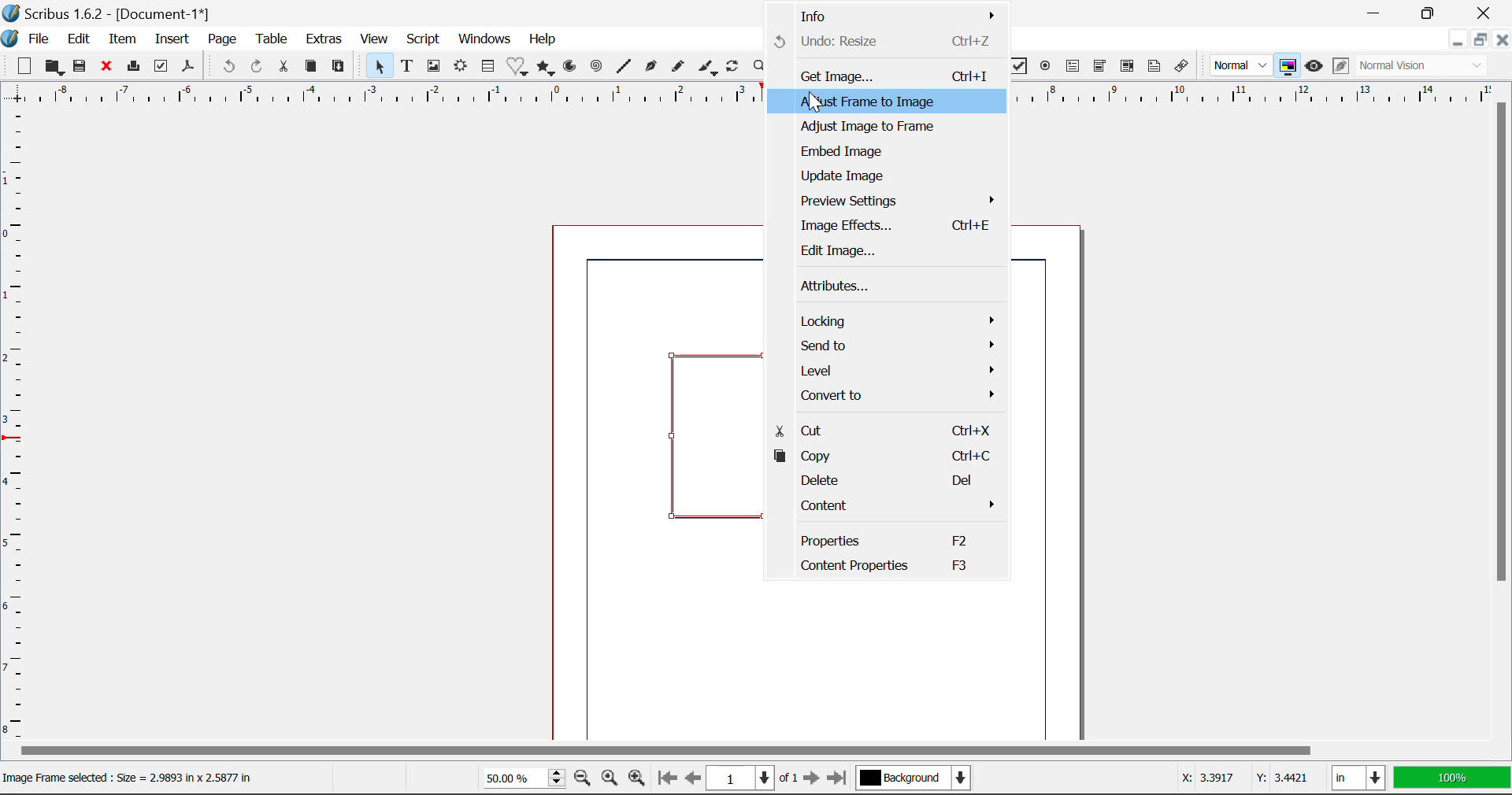  I want to click on Paste, so click(339, 68).